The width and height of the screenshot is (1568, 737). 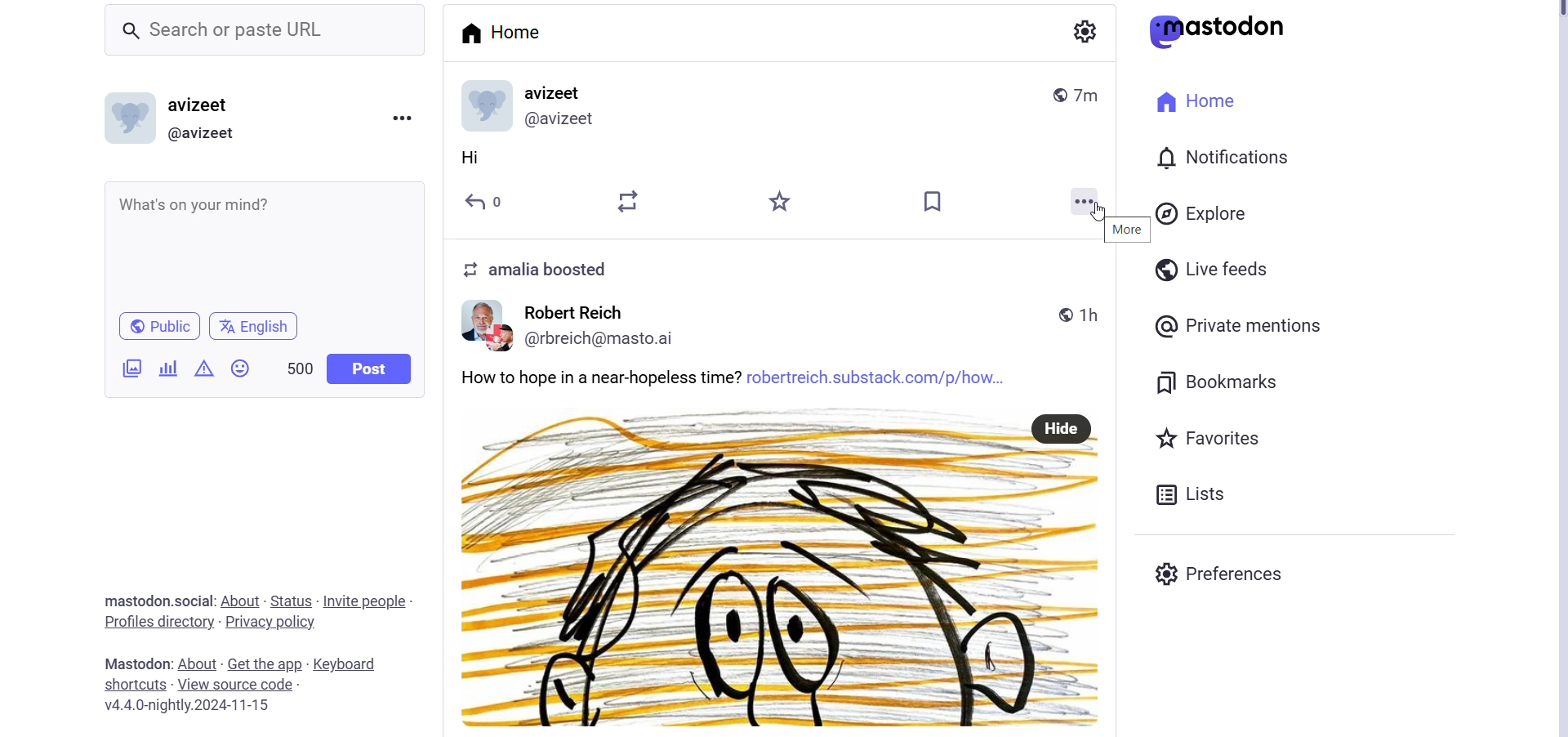 What do you see at coordinates (1078, 313) in the screenshot?
I see `Time Posted` at bounding box center [1078, 313].